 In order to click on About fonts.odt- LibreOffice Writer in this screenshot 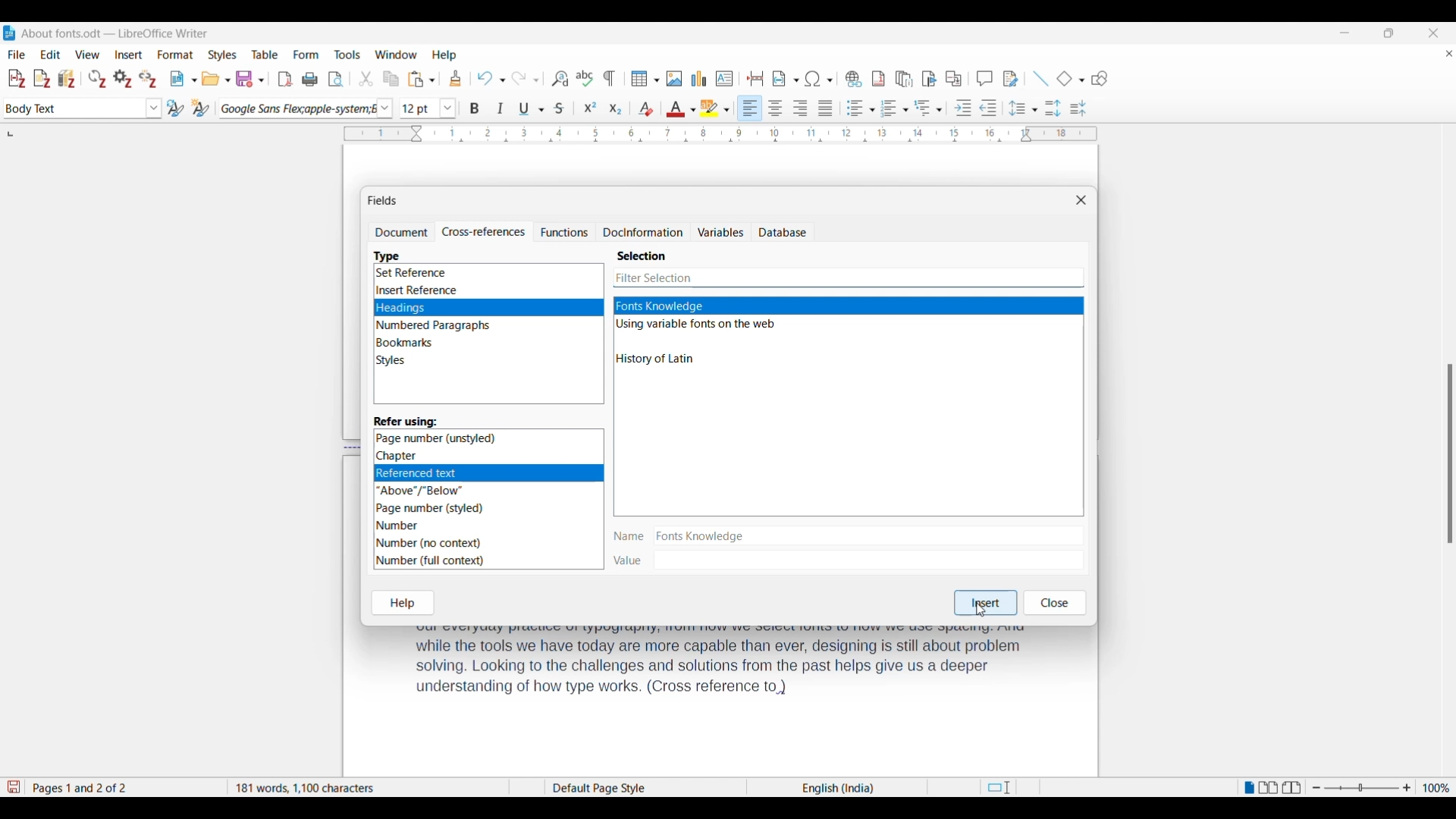, I will do `click(115, 33)`.